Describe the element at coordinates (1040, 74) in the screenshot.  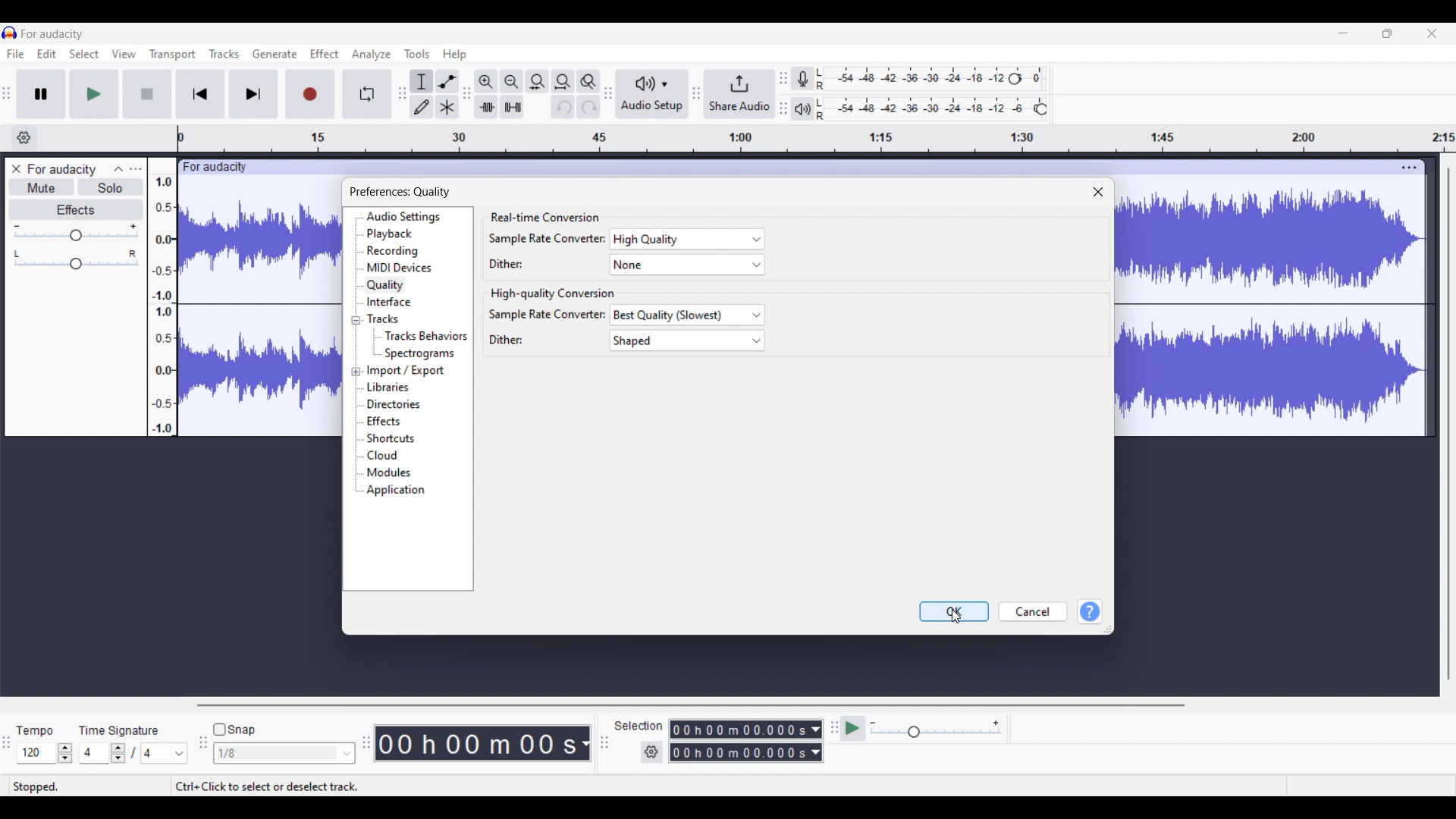
I see `0` at that location.